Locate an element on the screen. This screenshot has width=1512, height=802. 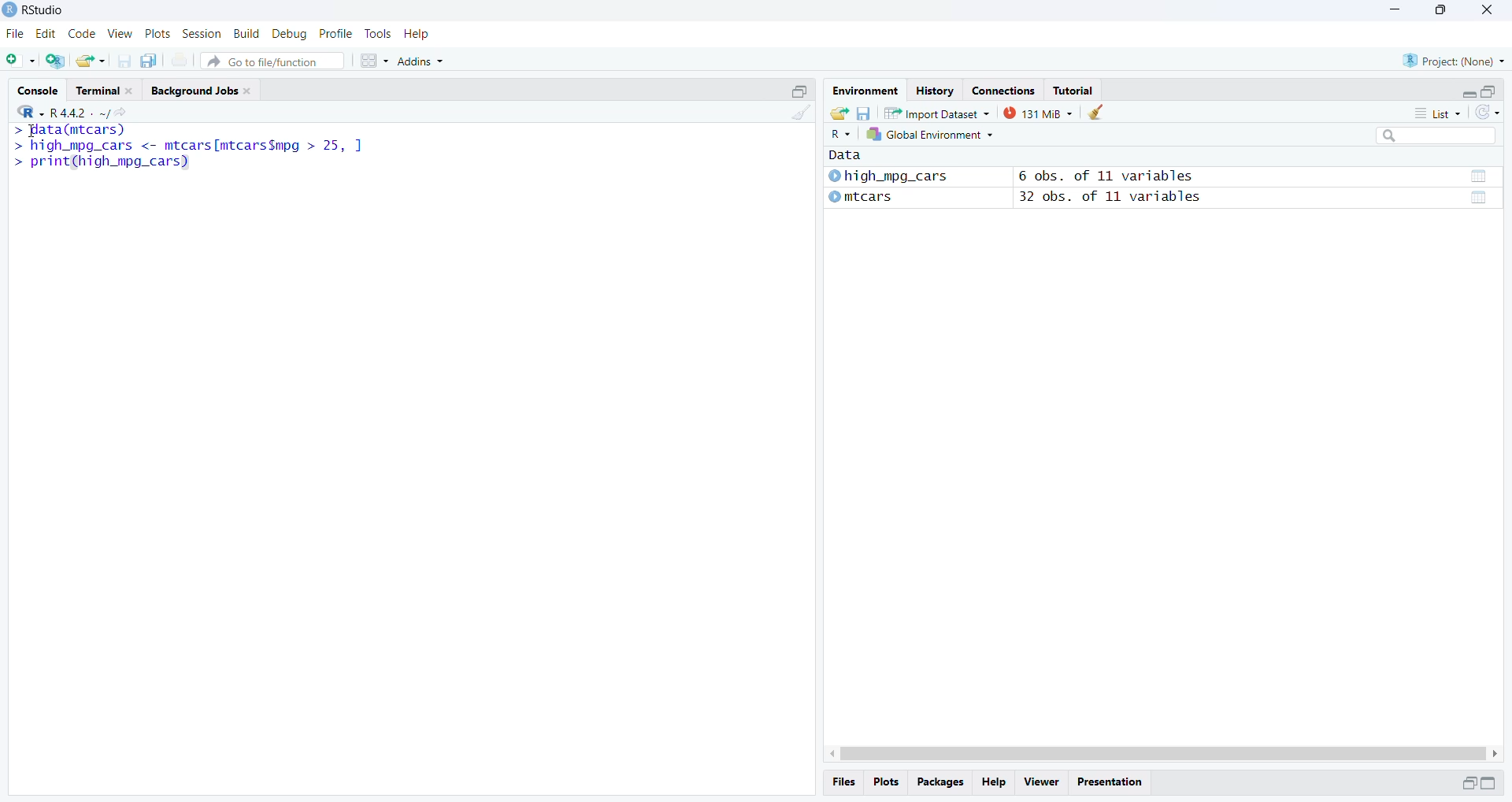
© high_mpg_cars is located at coordinates (889, 176).